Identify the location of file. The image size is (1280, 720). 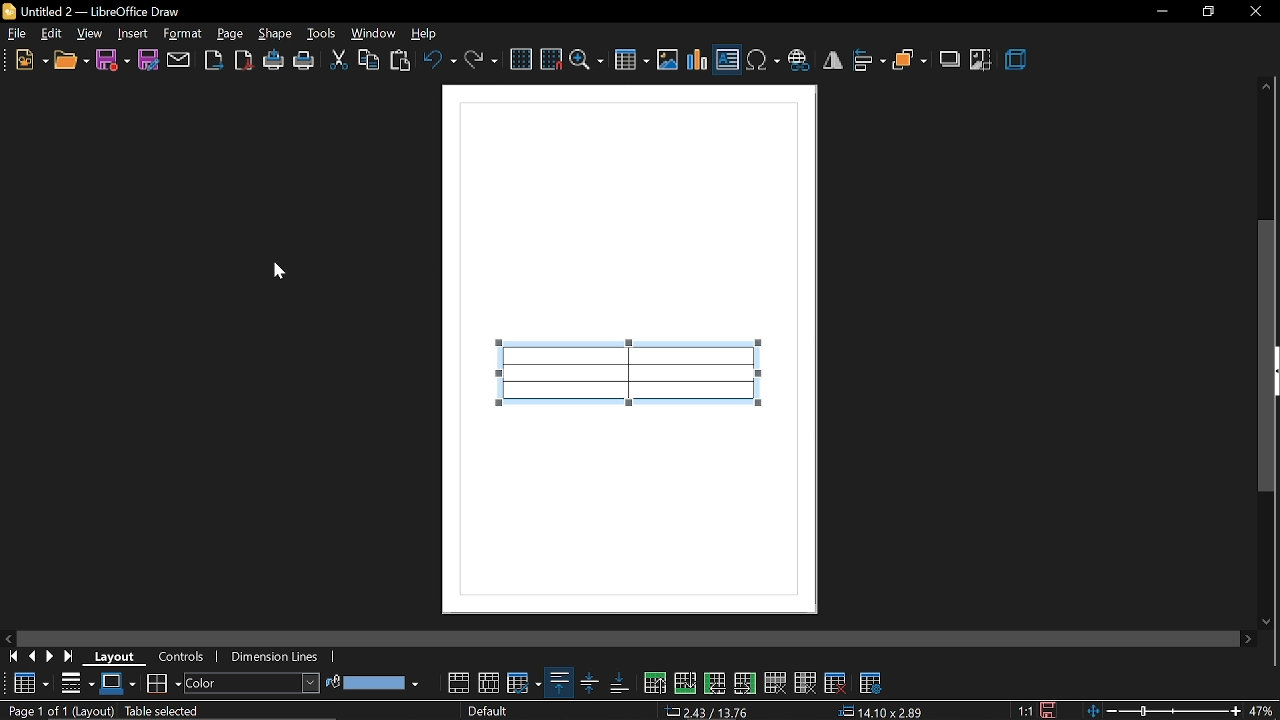
(16, 34).